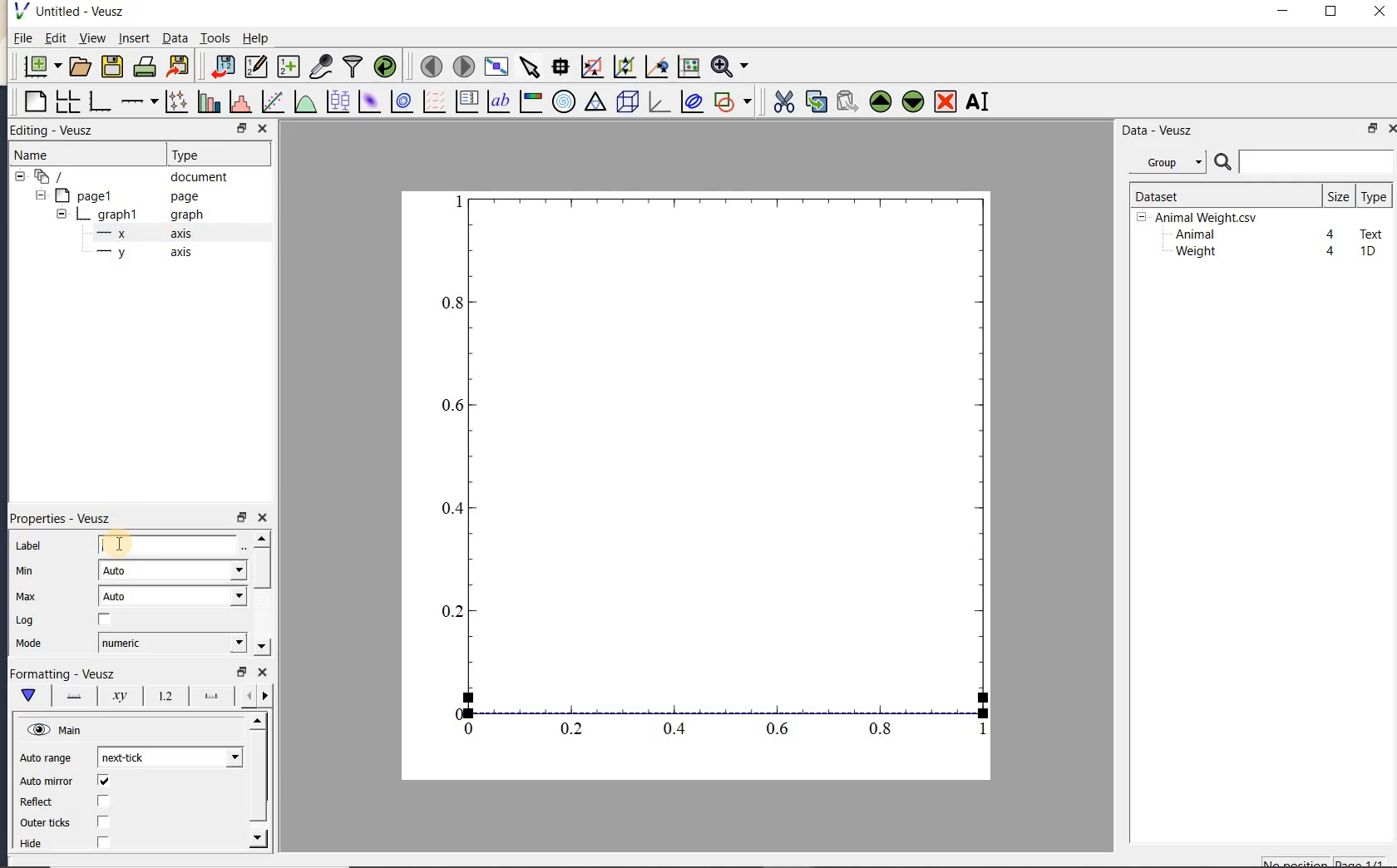  I want to click on field, so click(170, 546).